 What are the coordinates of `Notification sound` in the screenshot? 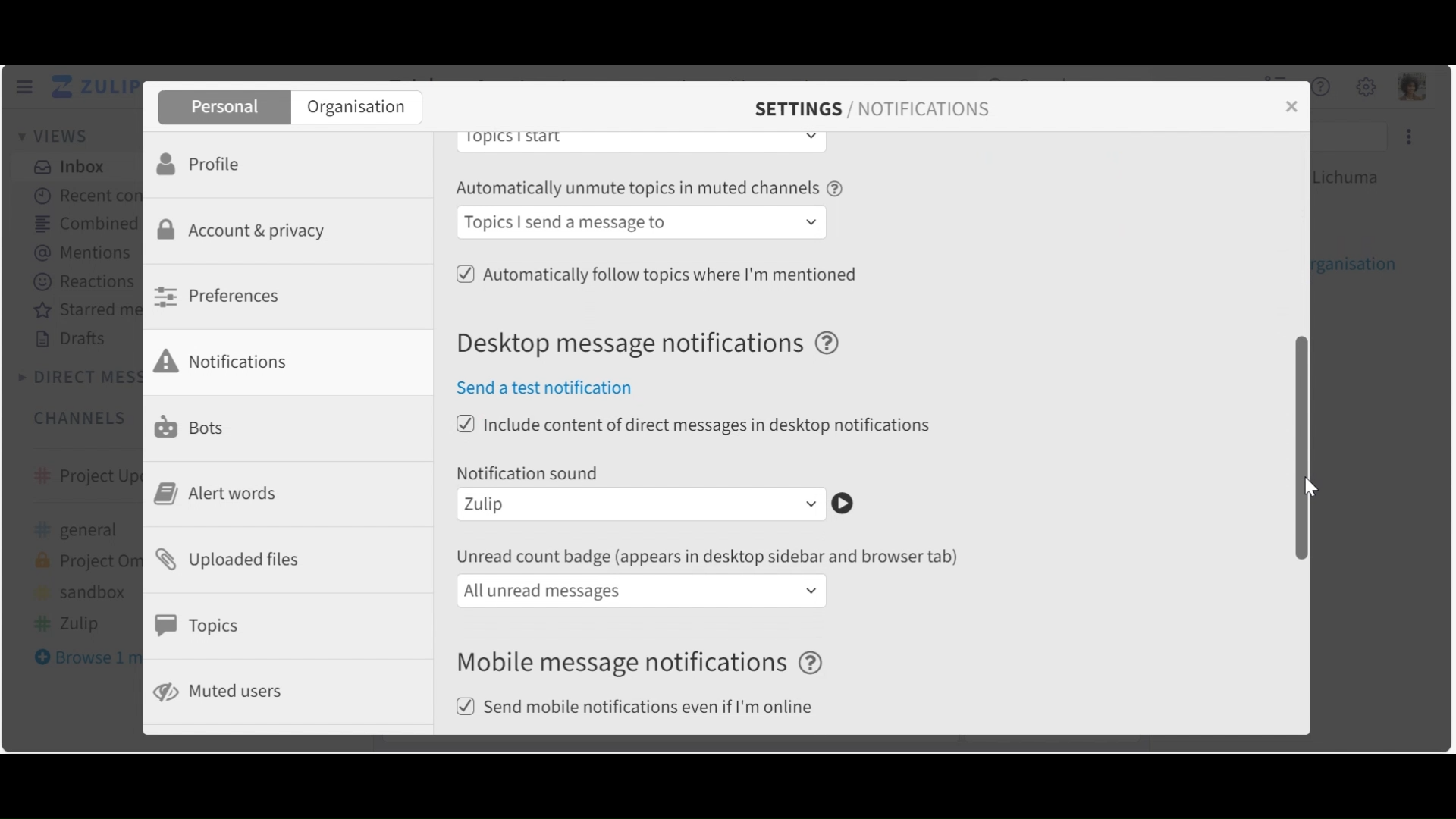 It's located at (530, 472).